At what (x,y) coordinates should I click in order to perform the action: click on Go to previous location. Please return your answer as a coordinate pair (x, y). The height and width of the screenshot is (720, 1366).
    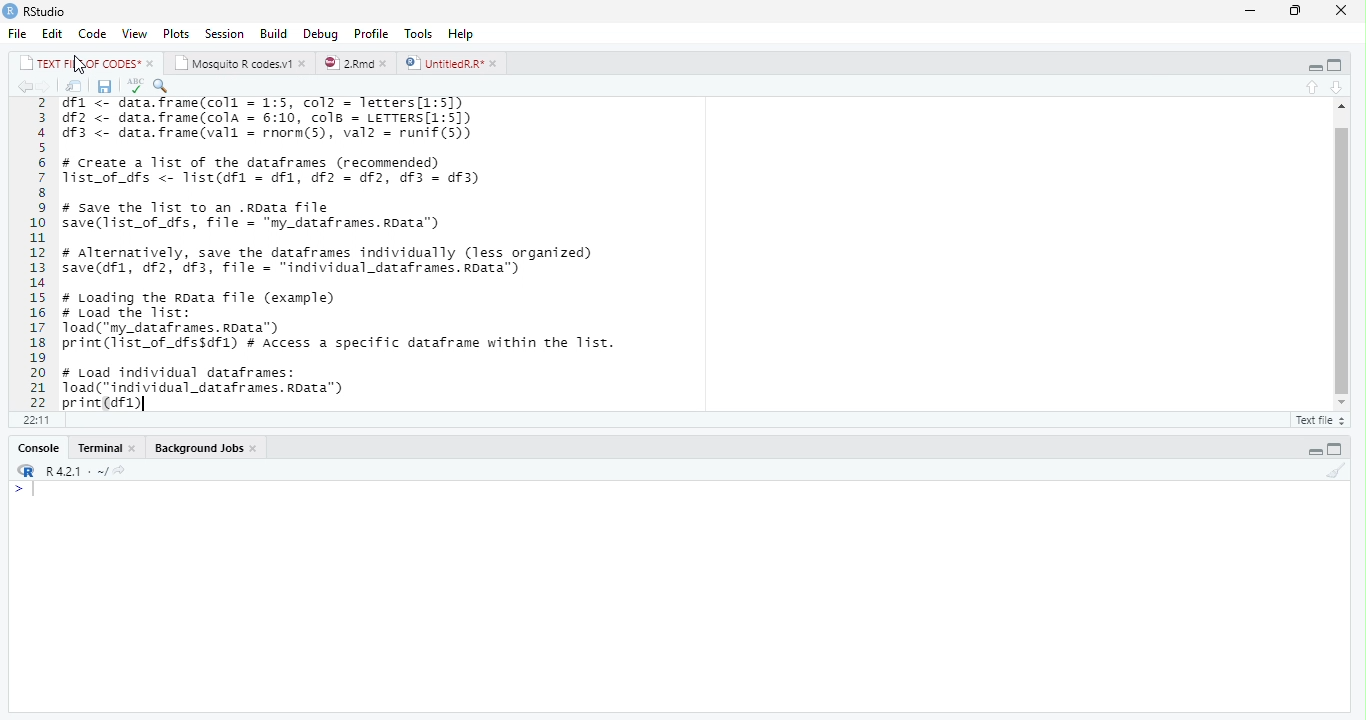
    Looking at the image, I should click on (22, 86).